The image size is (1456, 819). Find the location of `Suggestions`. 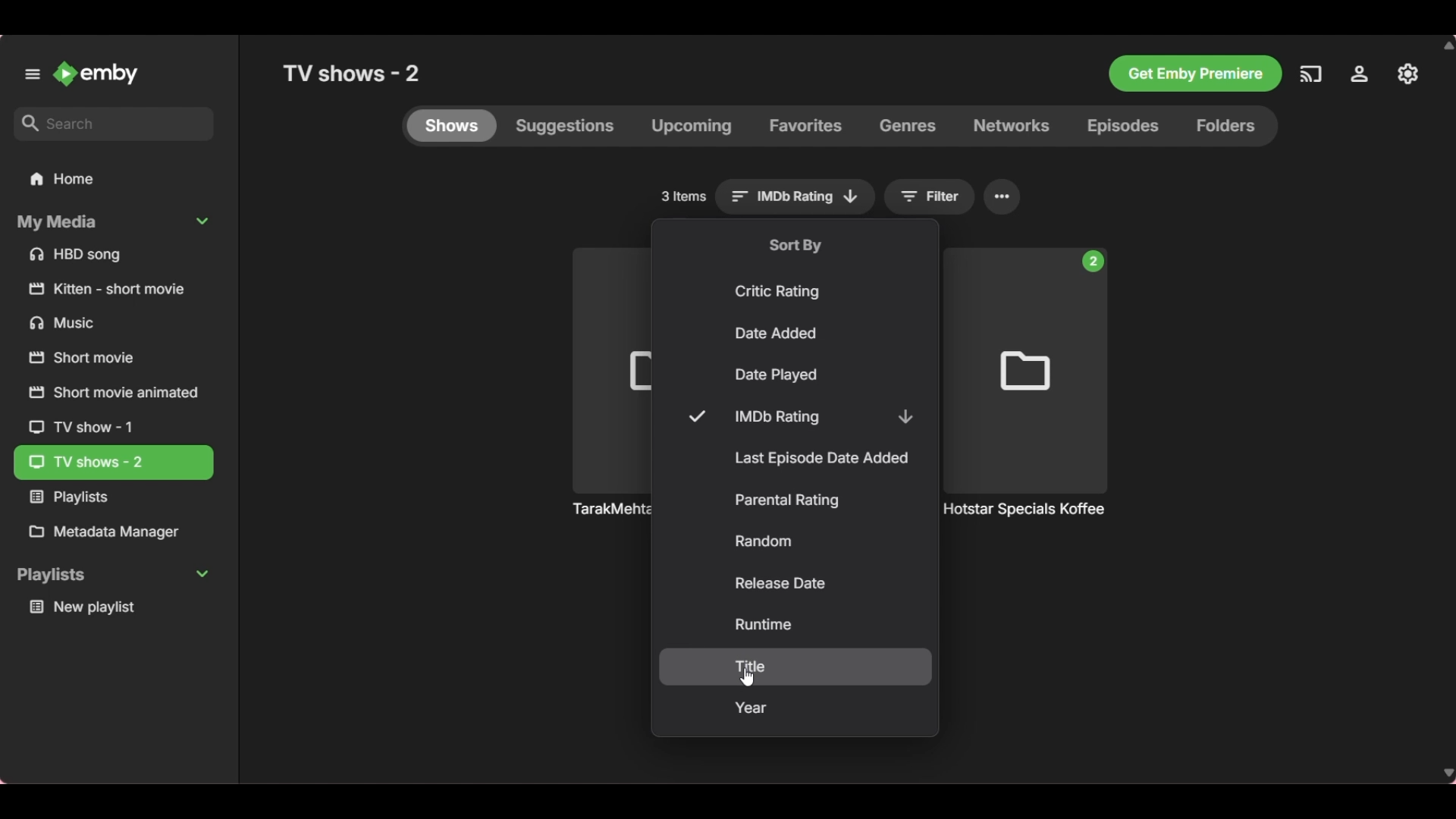

Suggestions is located at coordinates (566, 126).